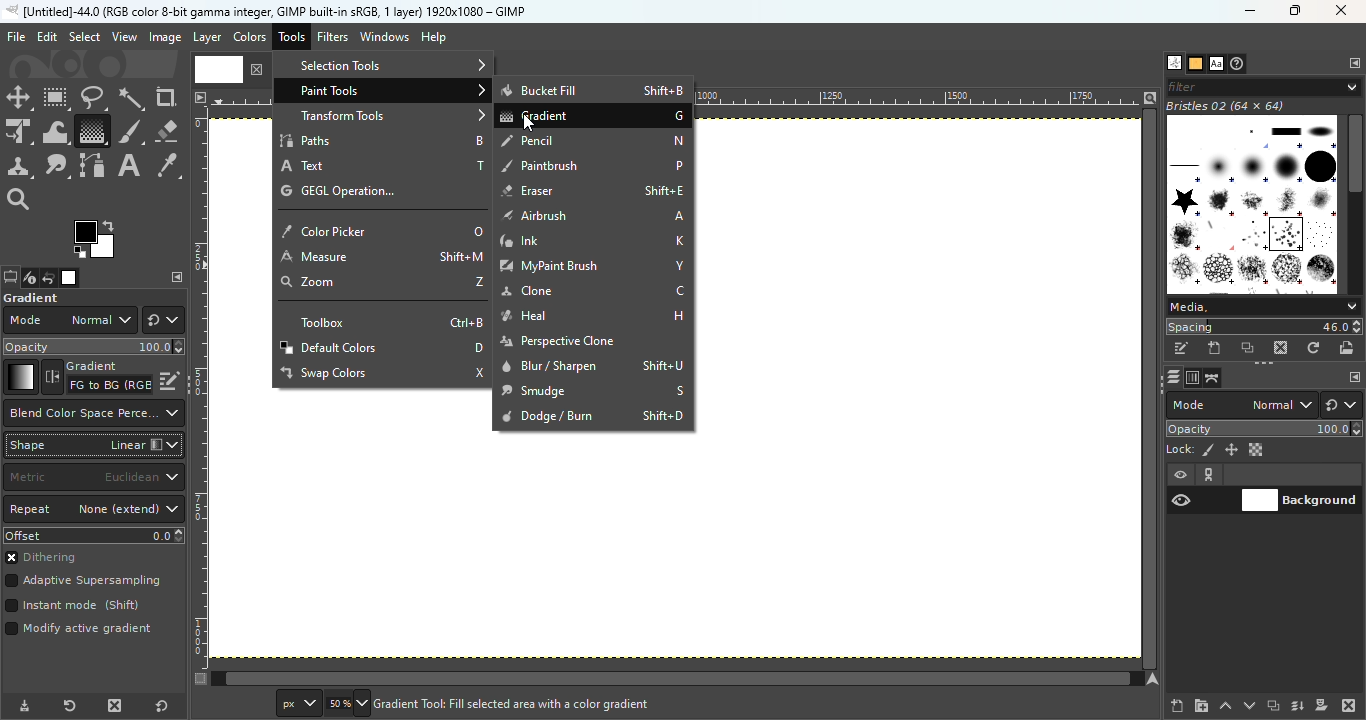  What do you see at coordinates (1190, 448) in the screenshot?
I see `Lock pixels` at bounding box center [1190, 448].